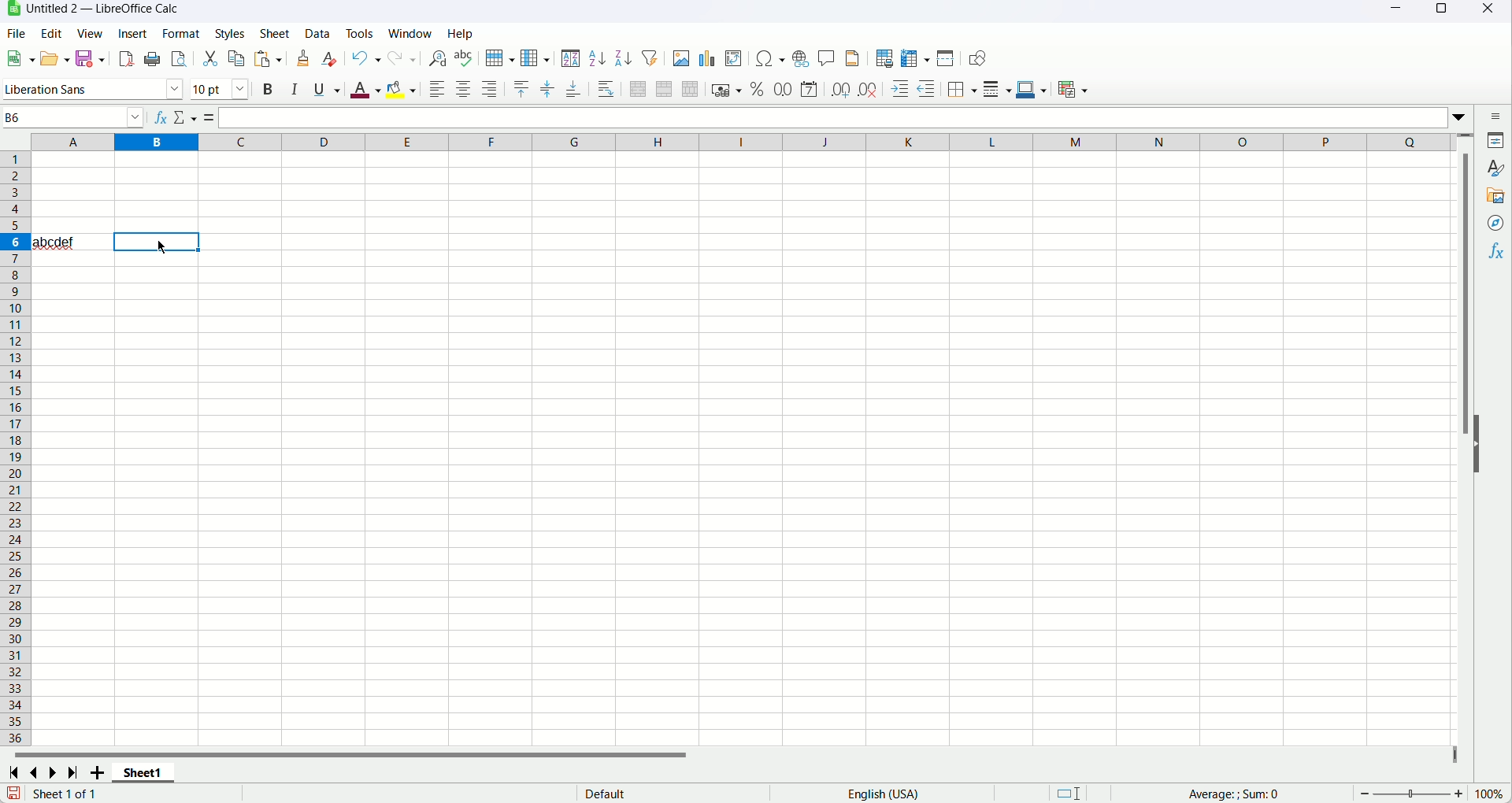  I want to click on underline, so click(328, 91).